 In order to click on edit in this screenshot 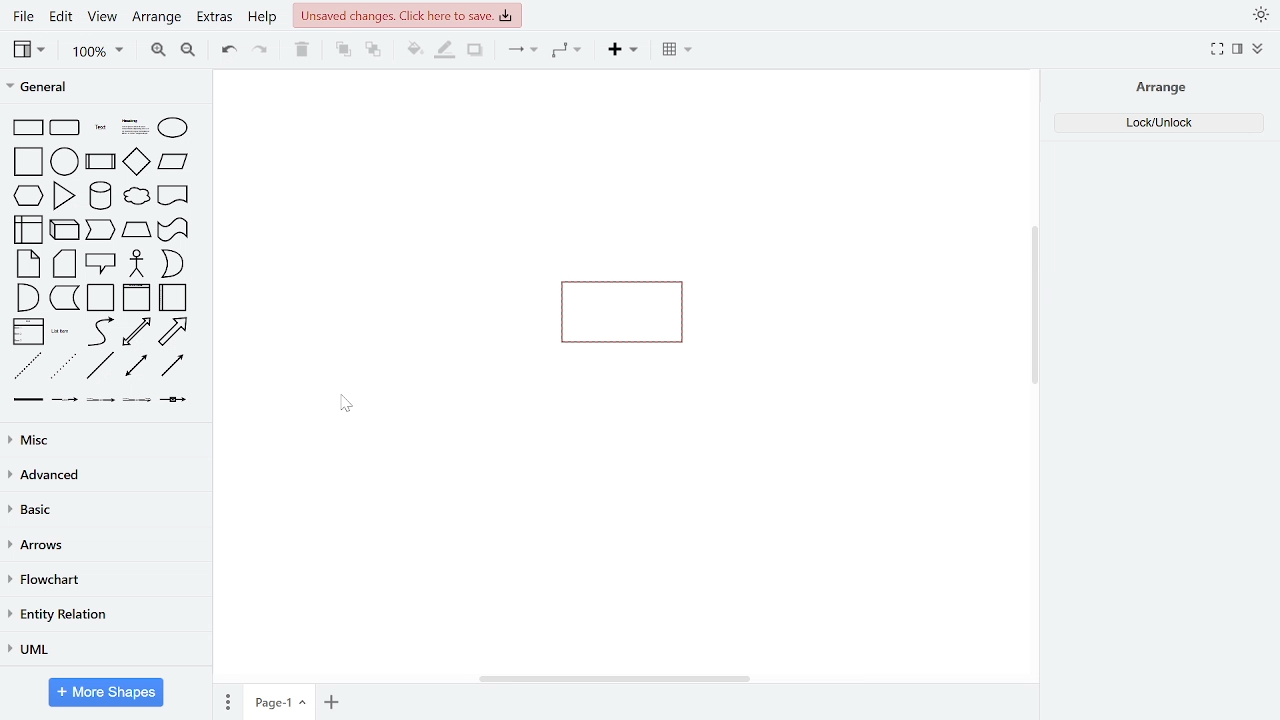, I will do `click(61, 17)`.